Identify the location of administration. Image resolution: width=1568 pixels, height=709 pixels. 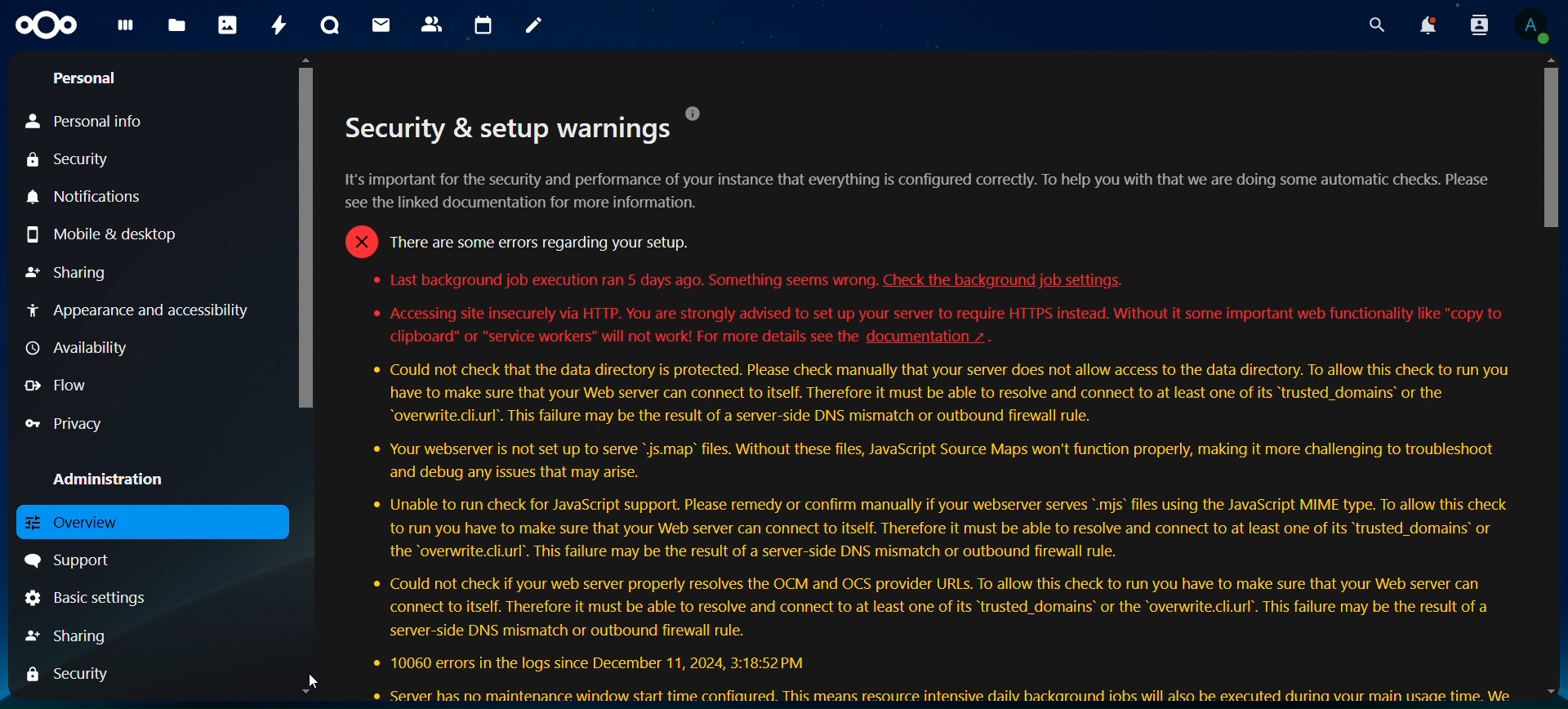
(117, 478).